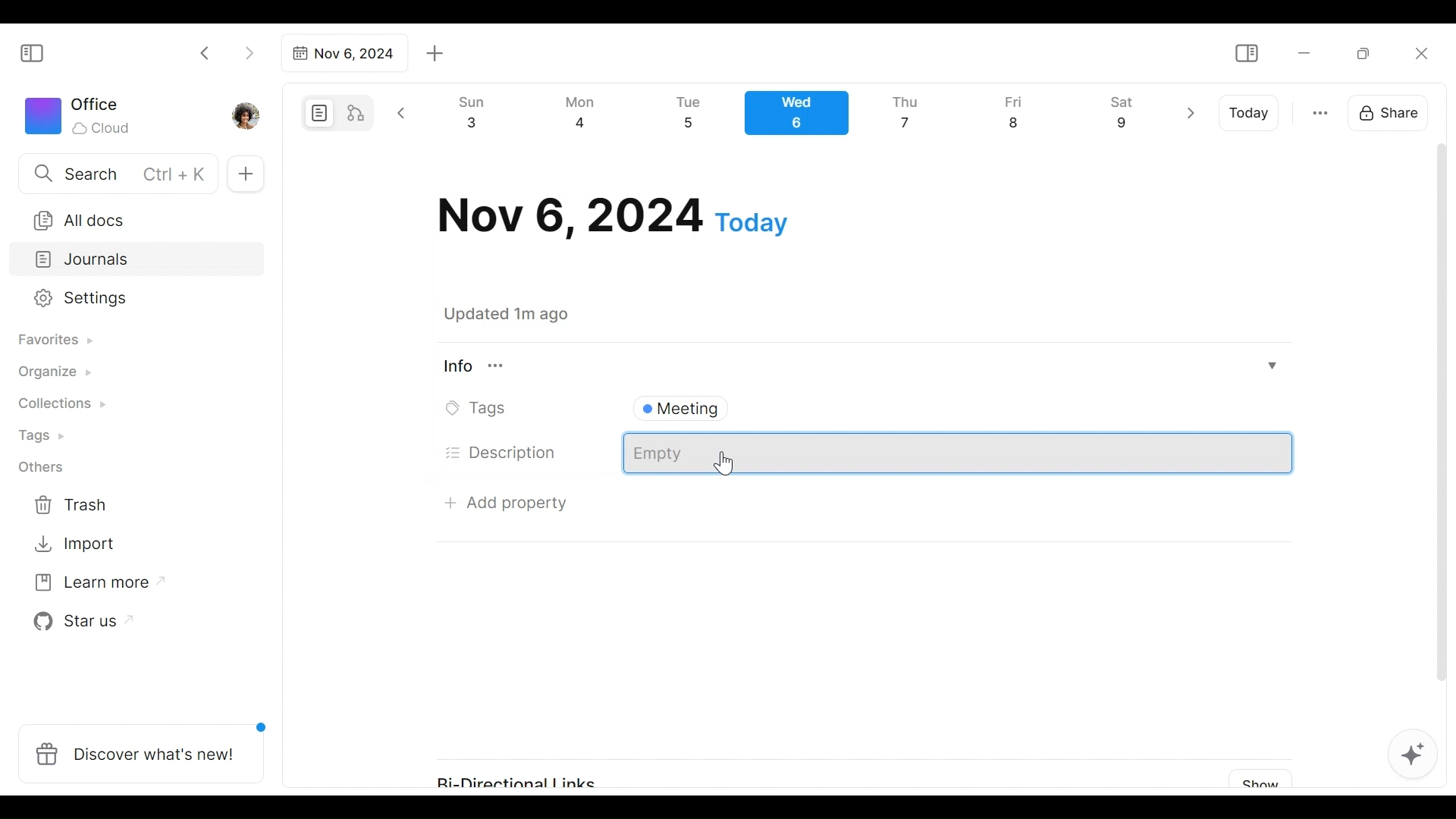 The width and height of the screenshot is (1456, 819). What do you see at coordinates (342, 53) in the screenshot?
I see `Tab` at bounding box center [342, 53].